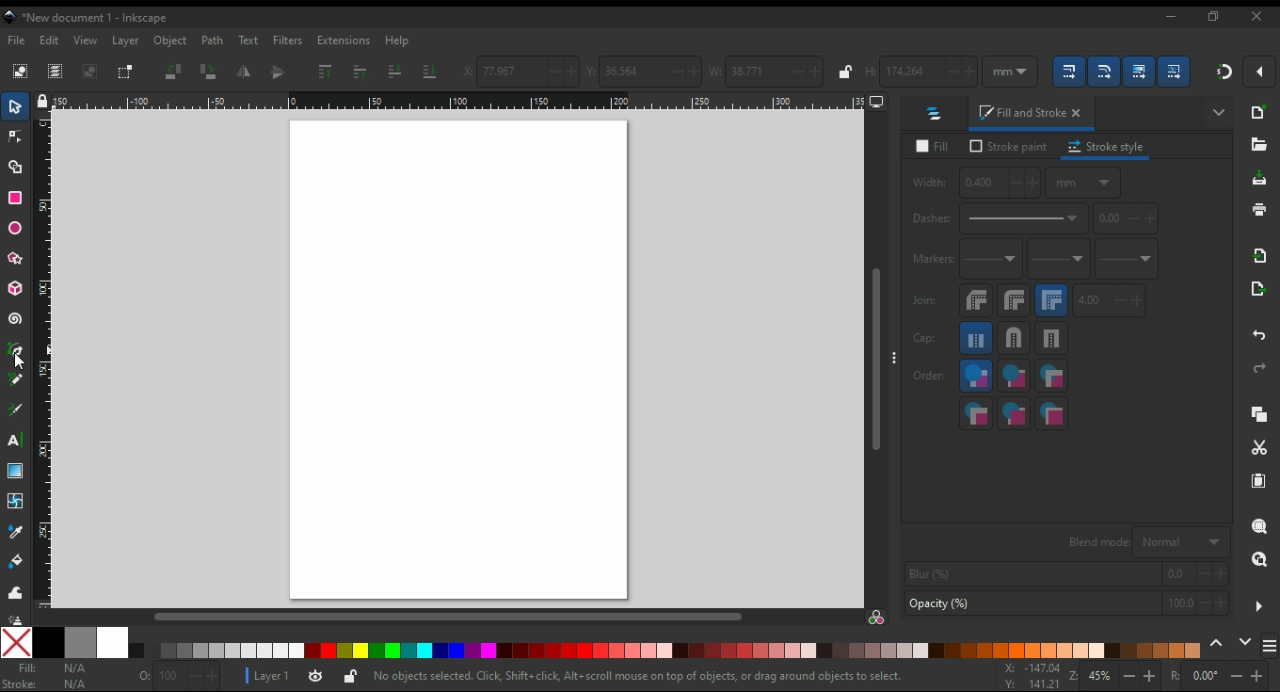 This screenshot has height=692, width=1280. What do you see at coordinates (1217, 642) in the screenshot?
I see `previous` at bounding box center [1217, 642].